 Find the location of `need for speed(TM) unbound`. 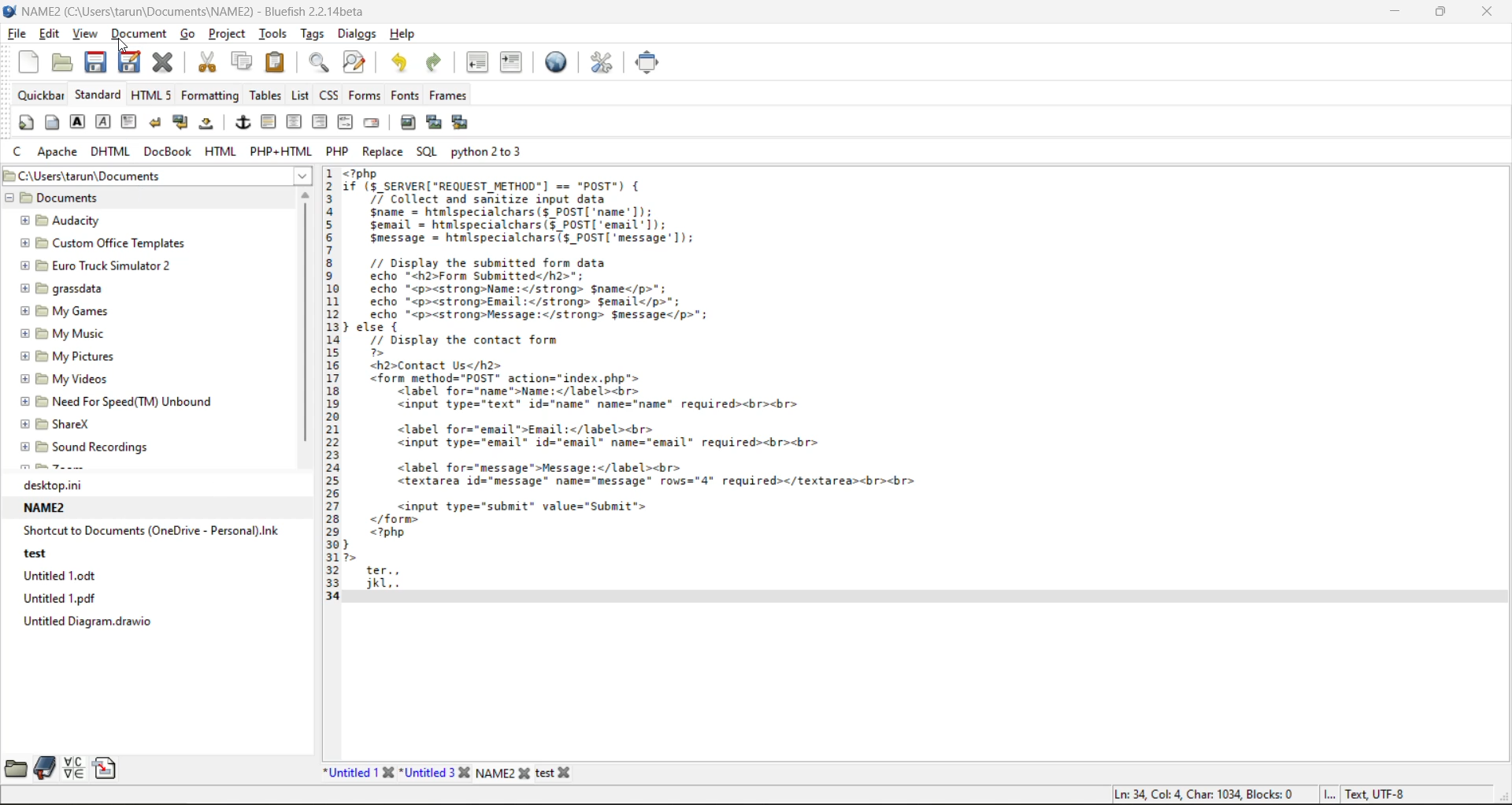

need for speed(TM) unbound is located at coordinates (117, 400).